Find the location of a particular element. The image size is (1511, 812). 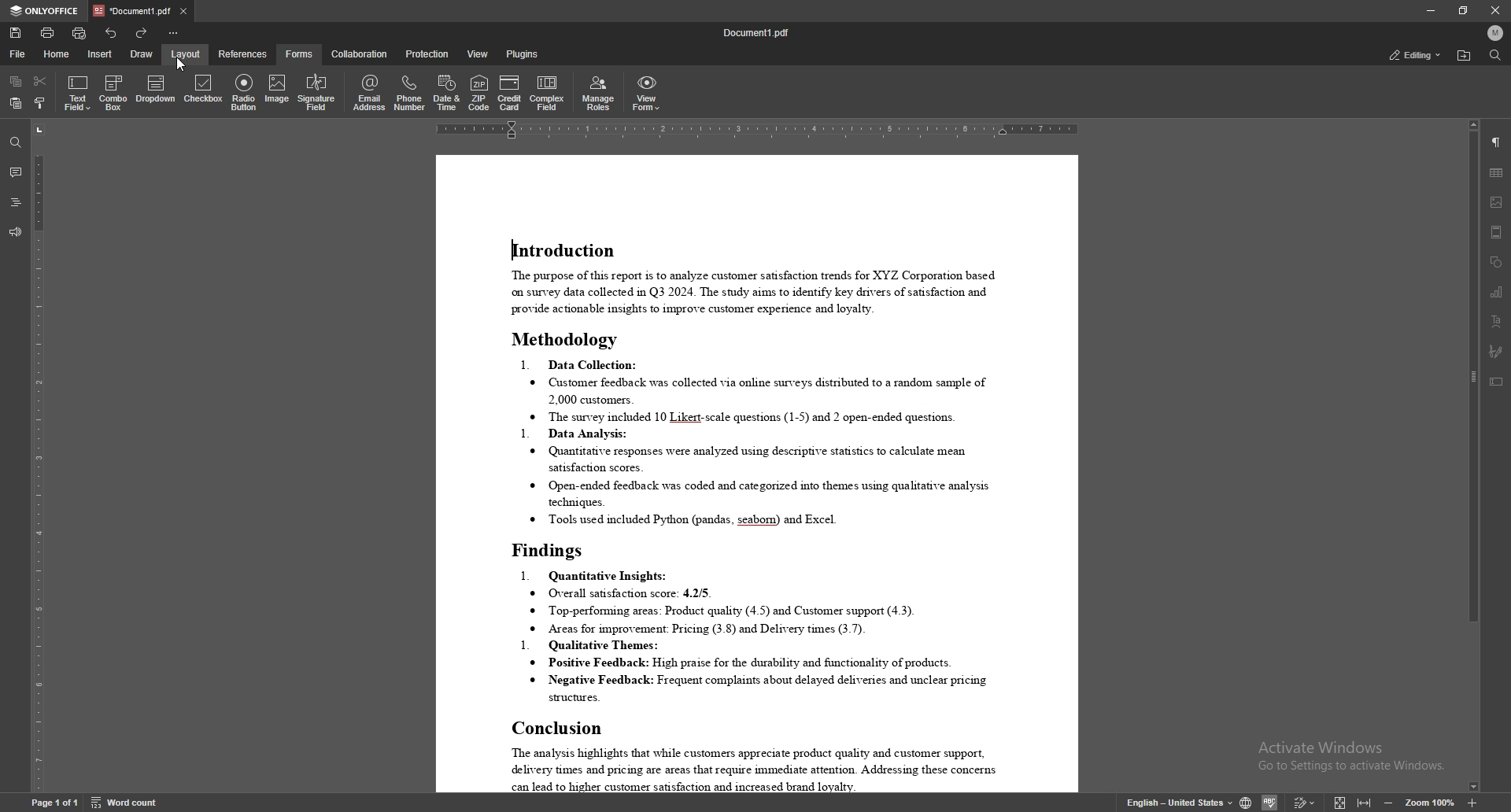

paragraph is located at coordinates (1497, 142).